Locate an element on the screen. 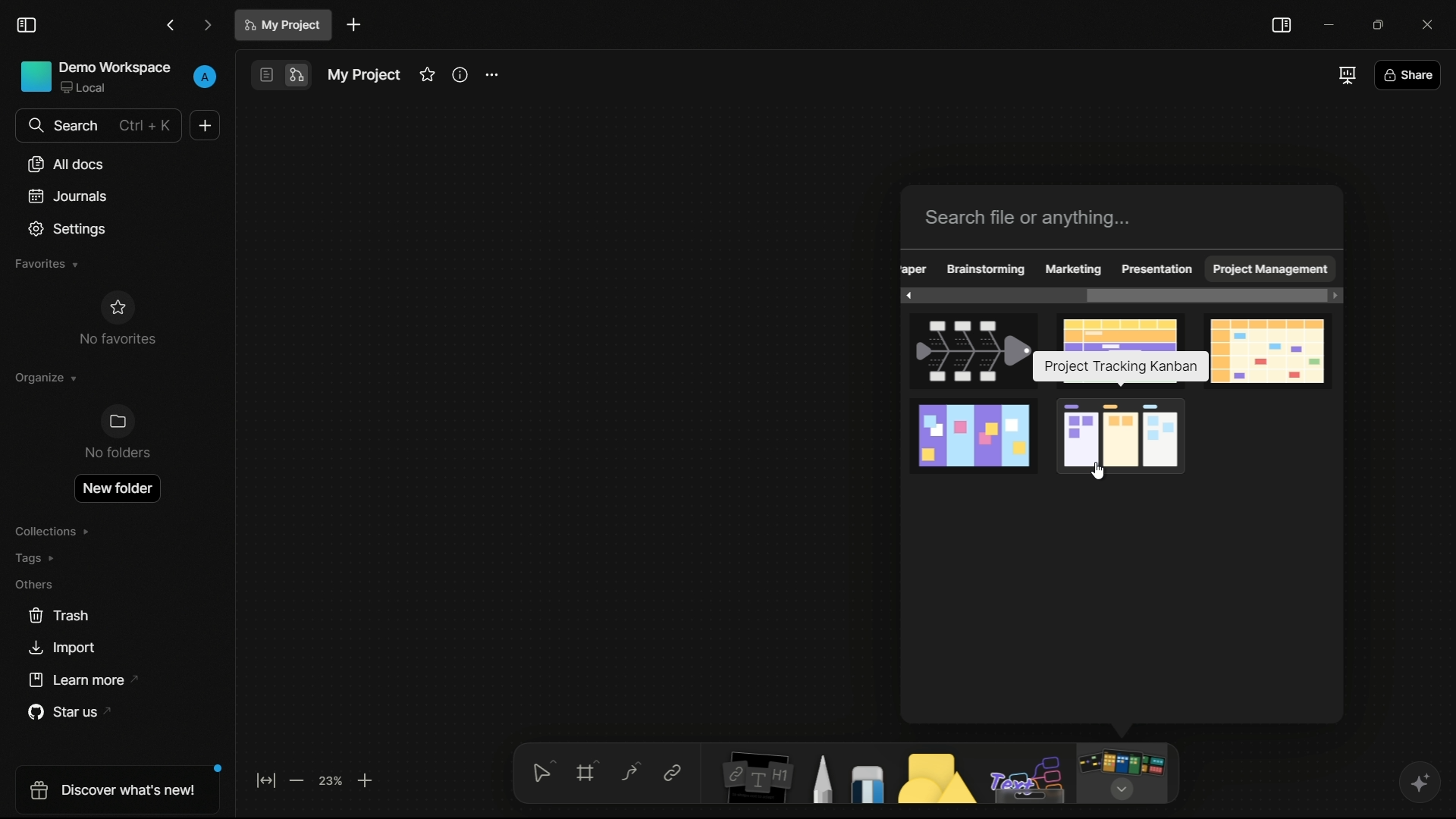  toggle sidebar is located at coordinates (27, 26).